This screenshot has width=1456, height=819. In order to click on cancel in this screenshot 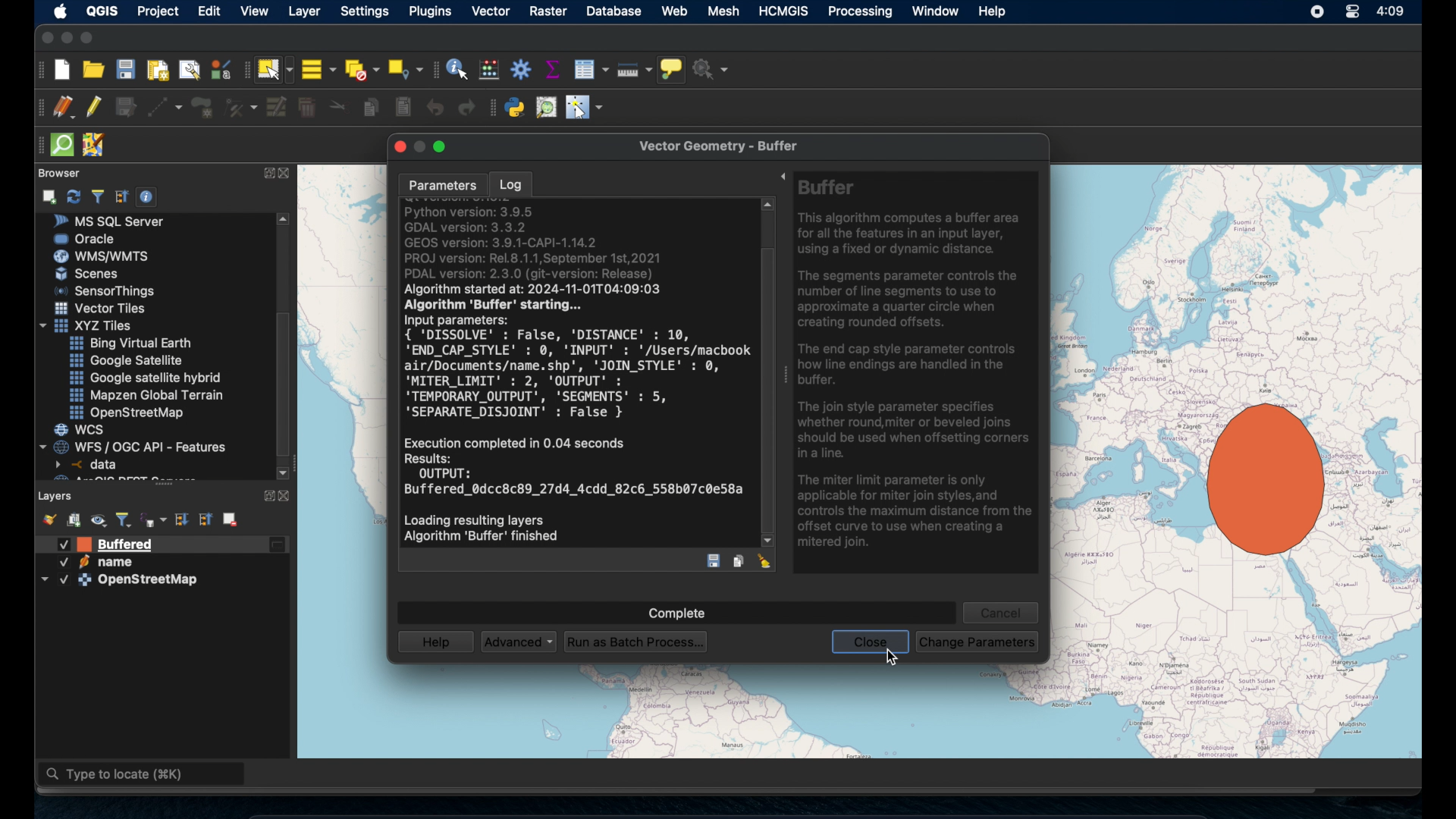, I will do `click(1003, 610)`.